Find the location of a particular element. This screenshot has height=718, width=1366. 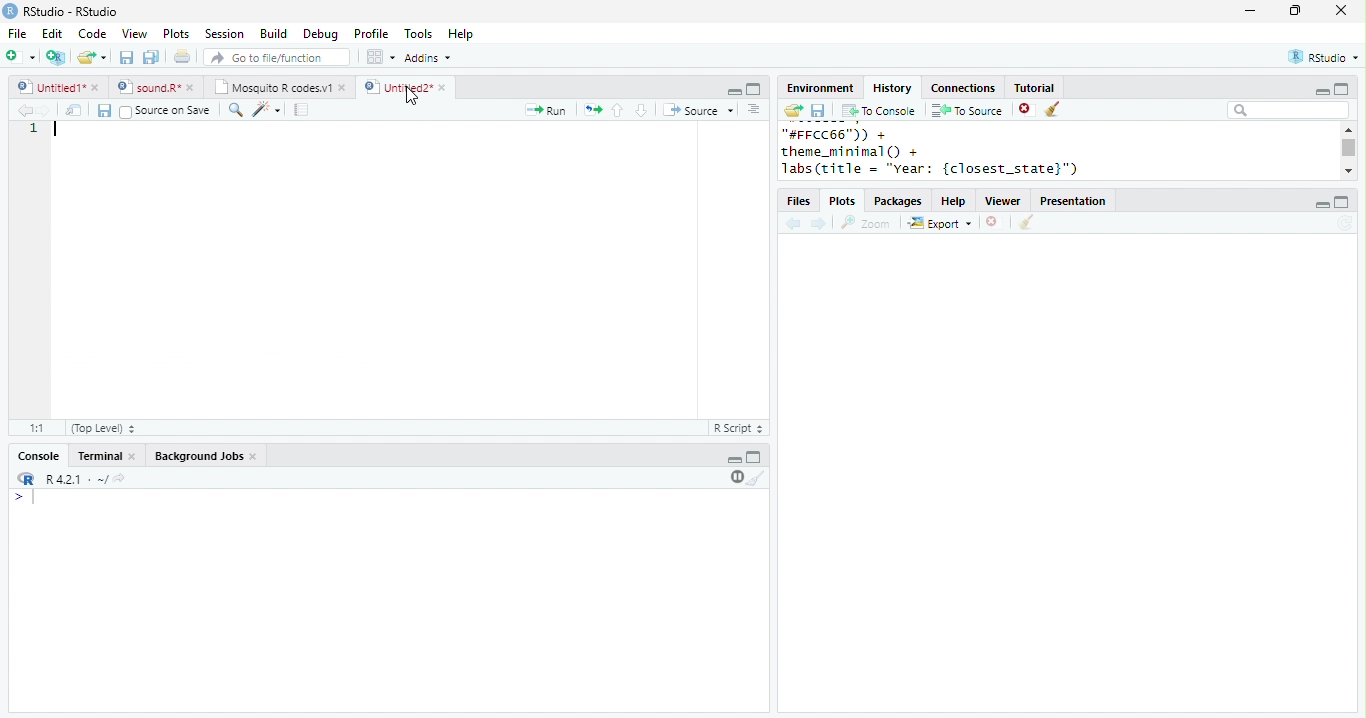

up is located at coordinates (616, 110).